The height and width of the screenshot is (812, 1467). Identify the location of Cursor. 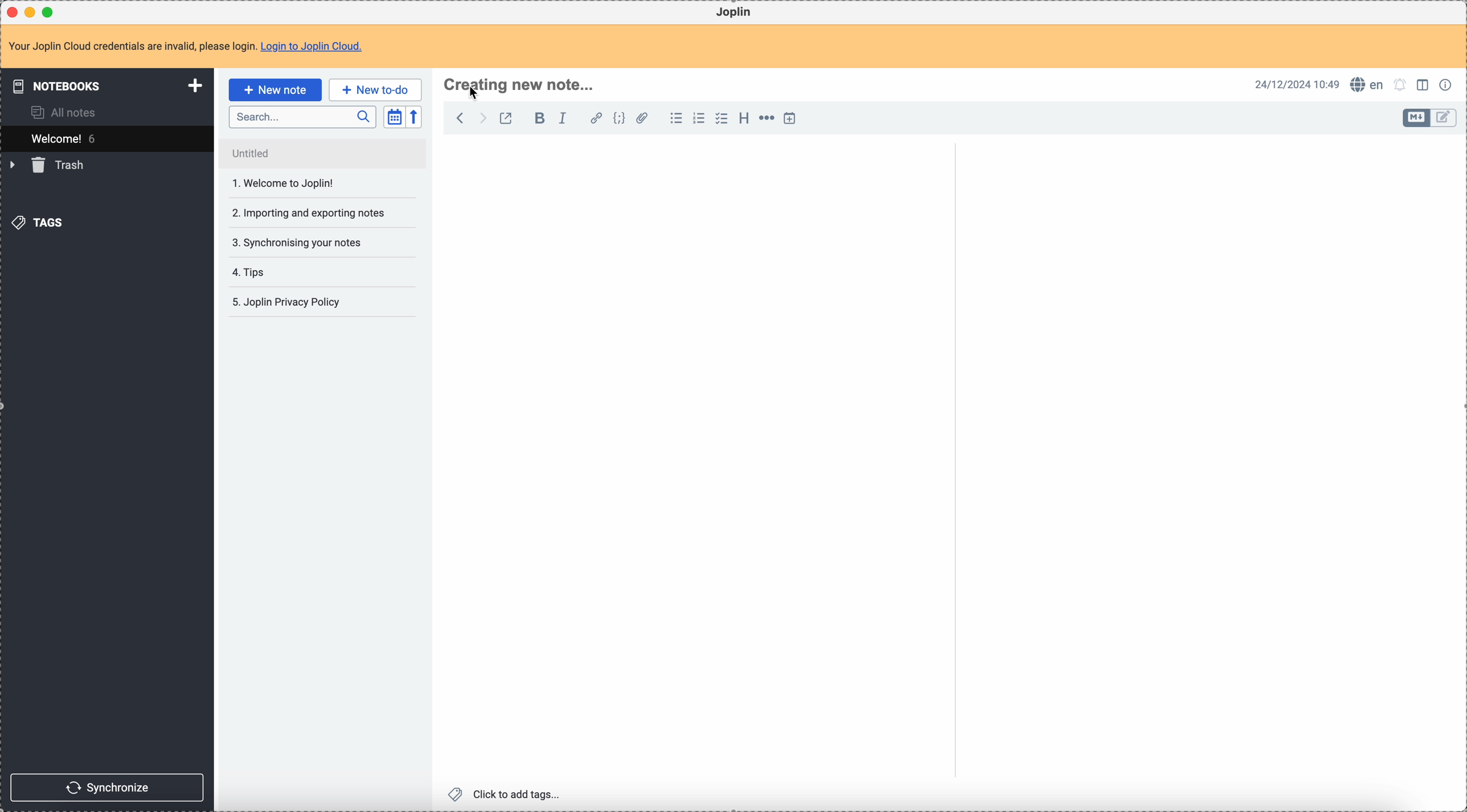
(476, 93).